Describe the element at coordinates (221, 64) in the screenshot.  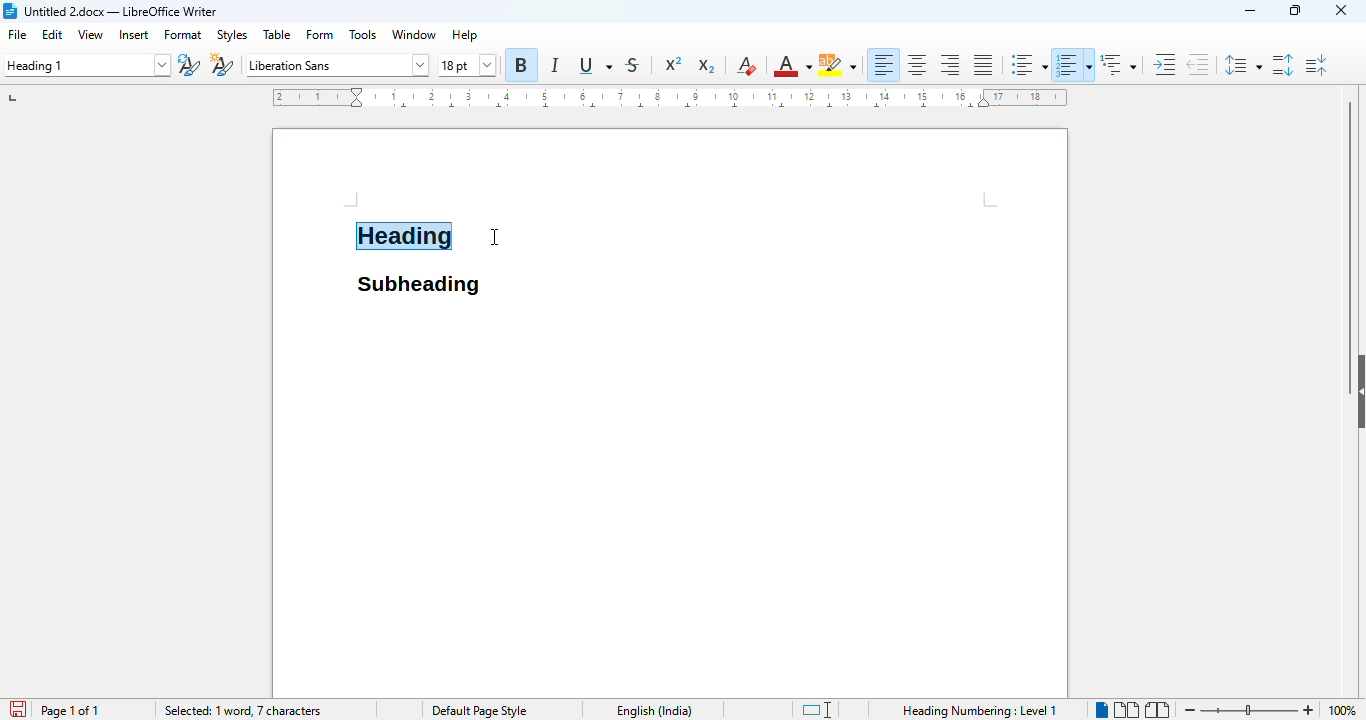
I see `new style from selection` at that location.